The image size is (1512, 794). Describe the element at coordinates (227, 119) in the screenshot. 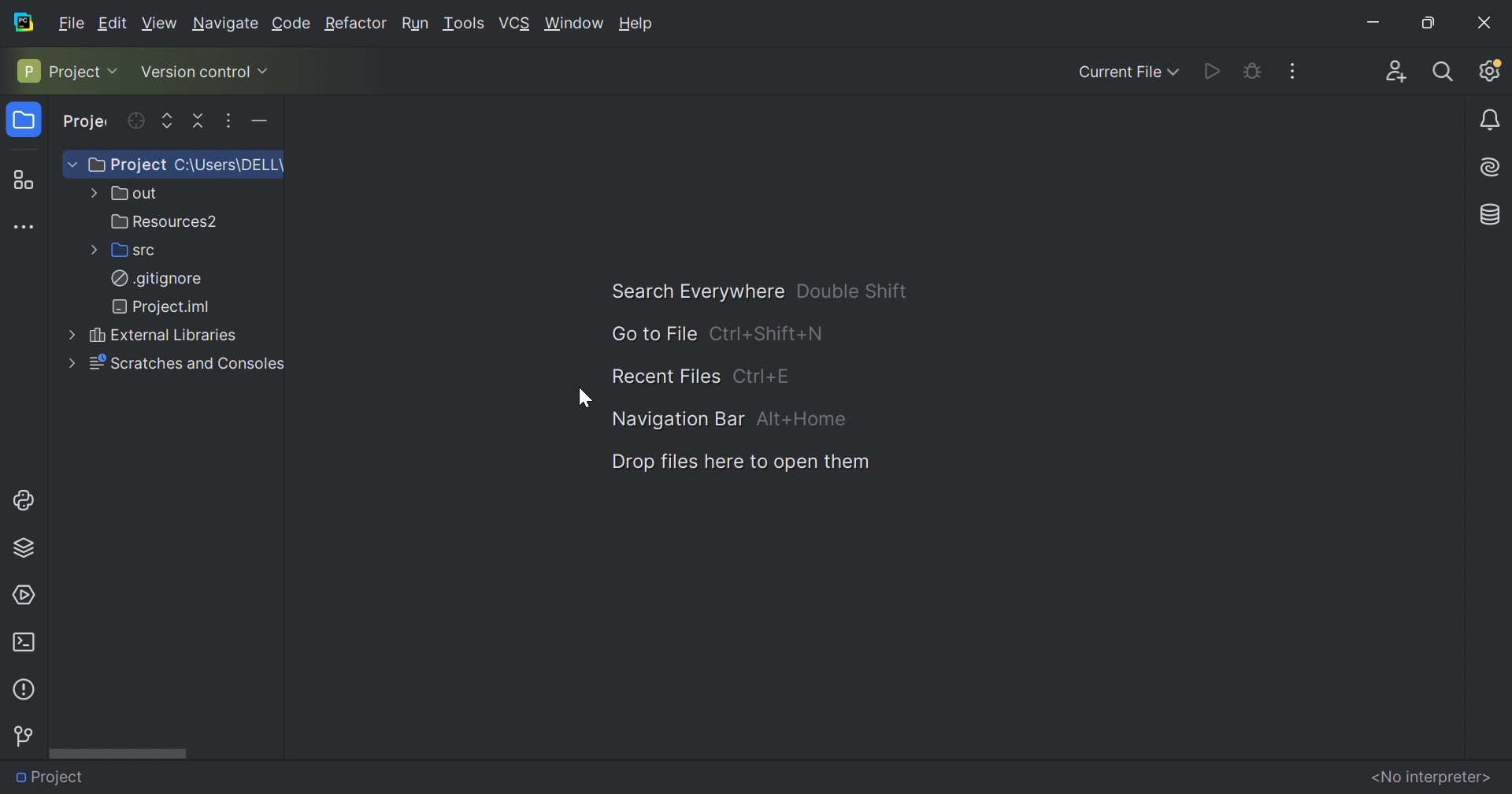

I see `Options` at that location.